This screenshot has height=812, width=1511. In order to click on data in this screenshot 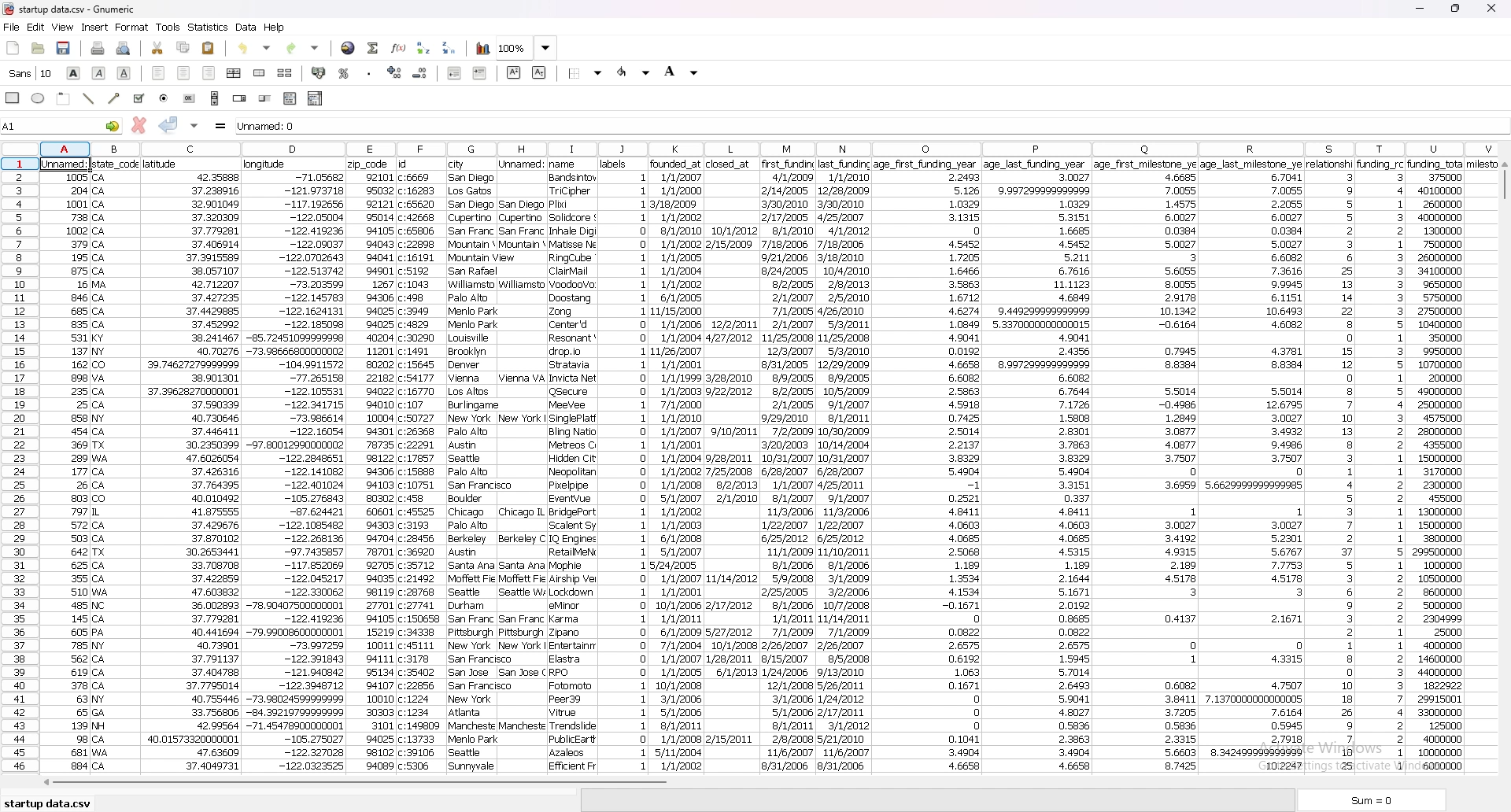, I will do `click(522, 464)`.